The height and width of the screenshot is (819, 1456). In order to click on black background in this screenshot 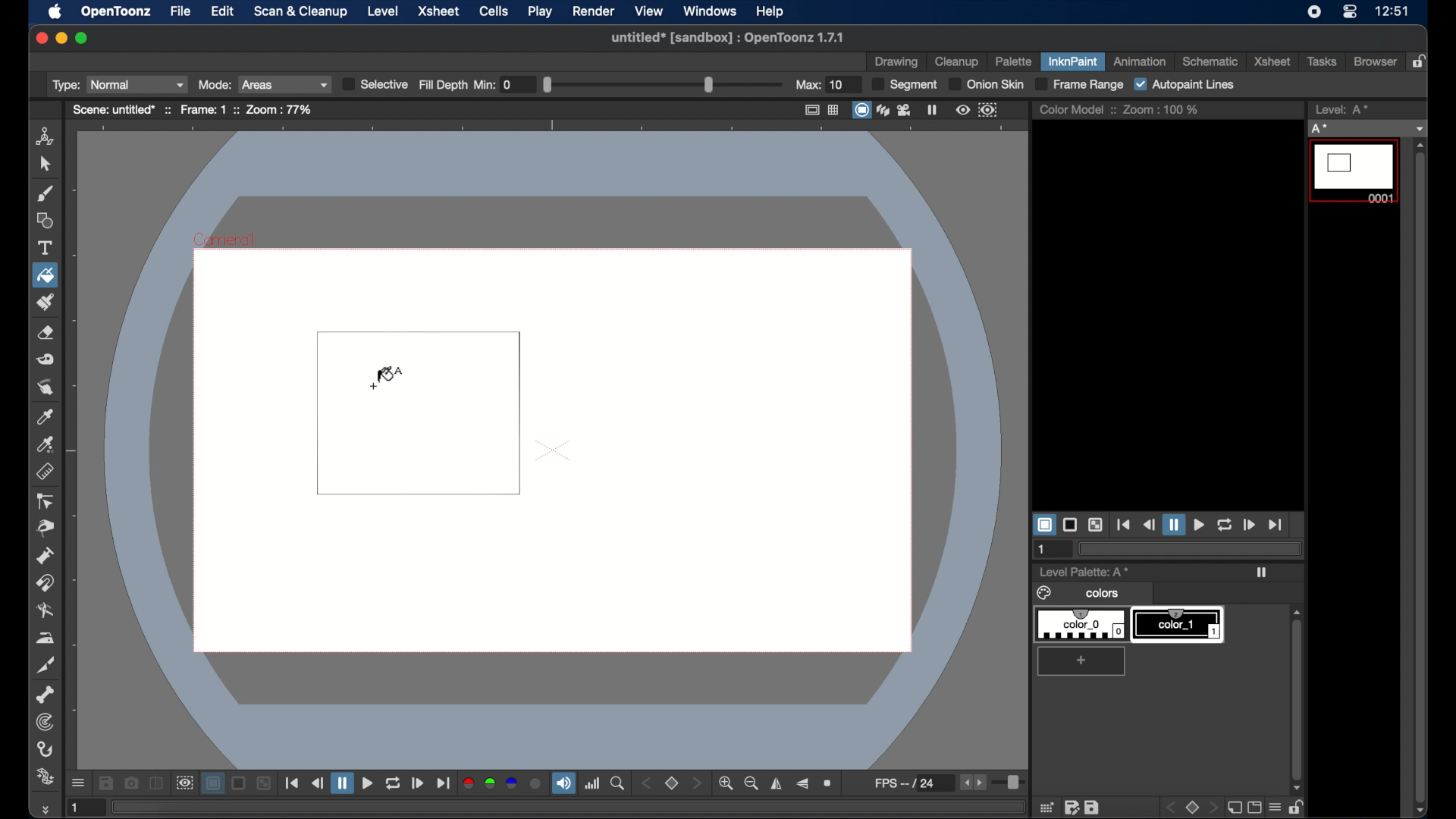, I will do `click(1070, 524)`.